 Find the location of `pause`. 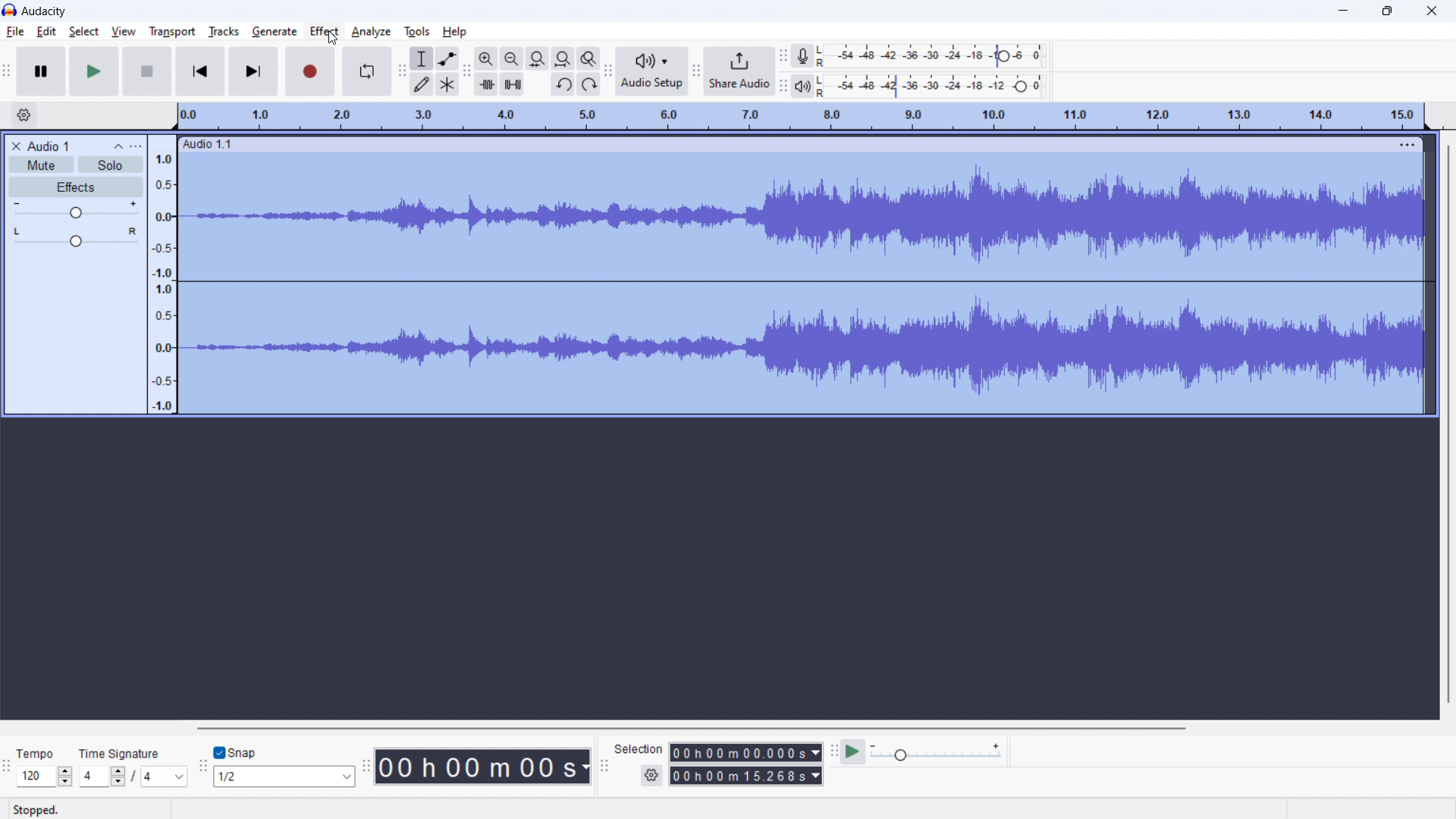

pause is located at coordinates (41, 71).